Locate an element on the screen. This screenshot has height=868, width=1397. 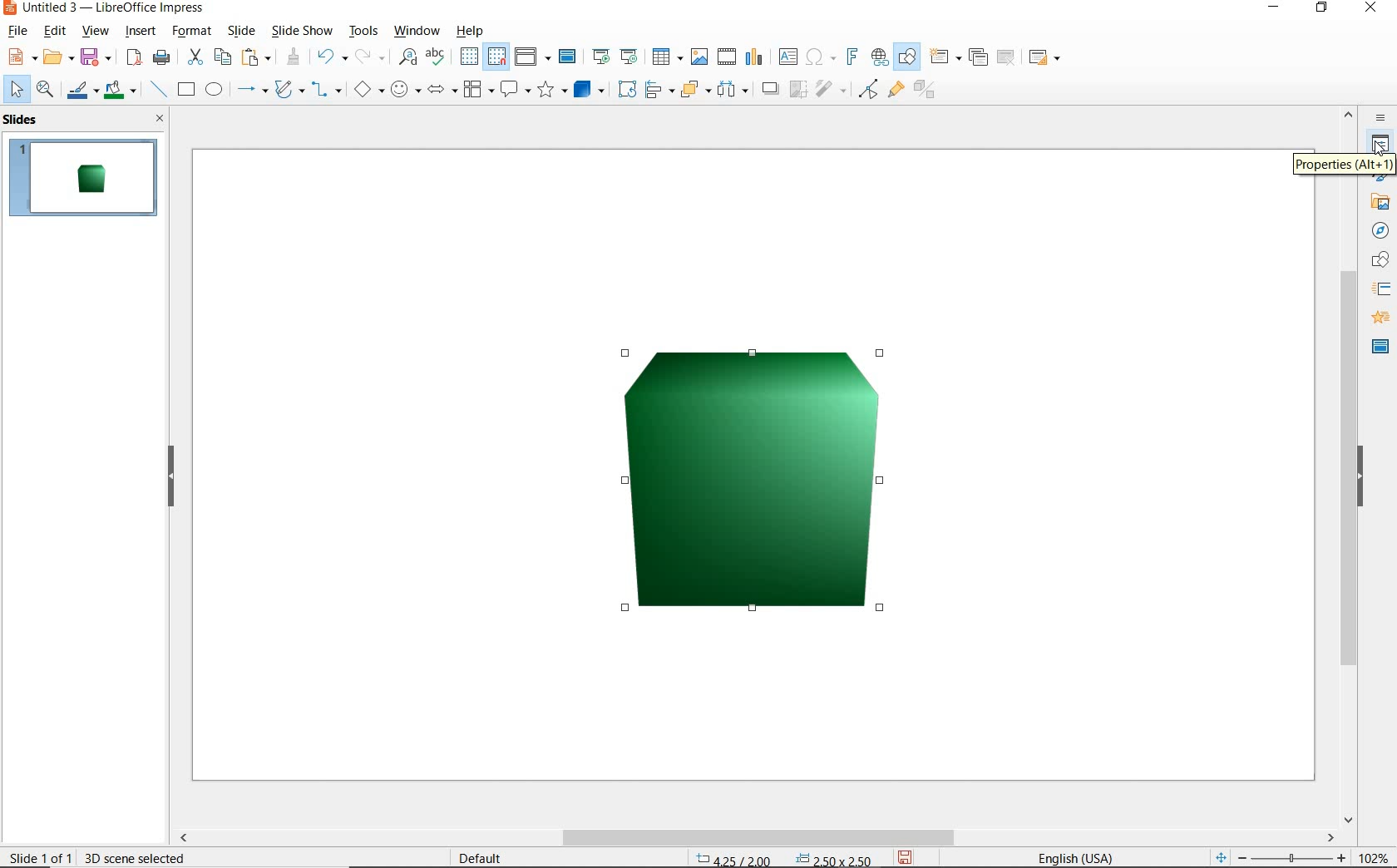
snap to grid is located at coordinates (497, 57).